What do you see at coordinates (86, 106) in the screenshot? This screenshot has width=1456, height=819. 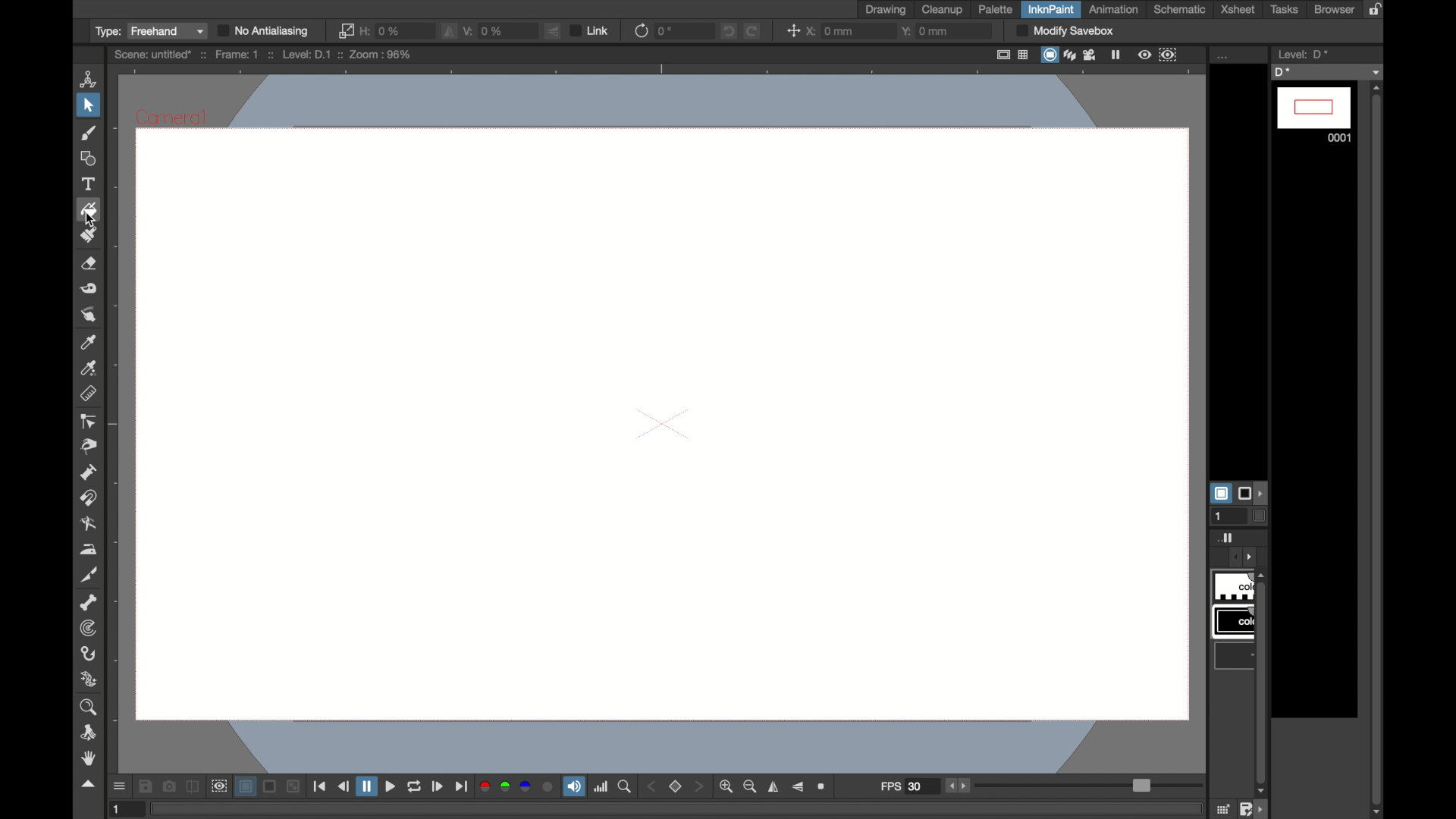 I see `selection tool` at bounding box center [86, 106].